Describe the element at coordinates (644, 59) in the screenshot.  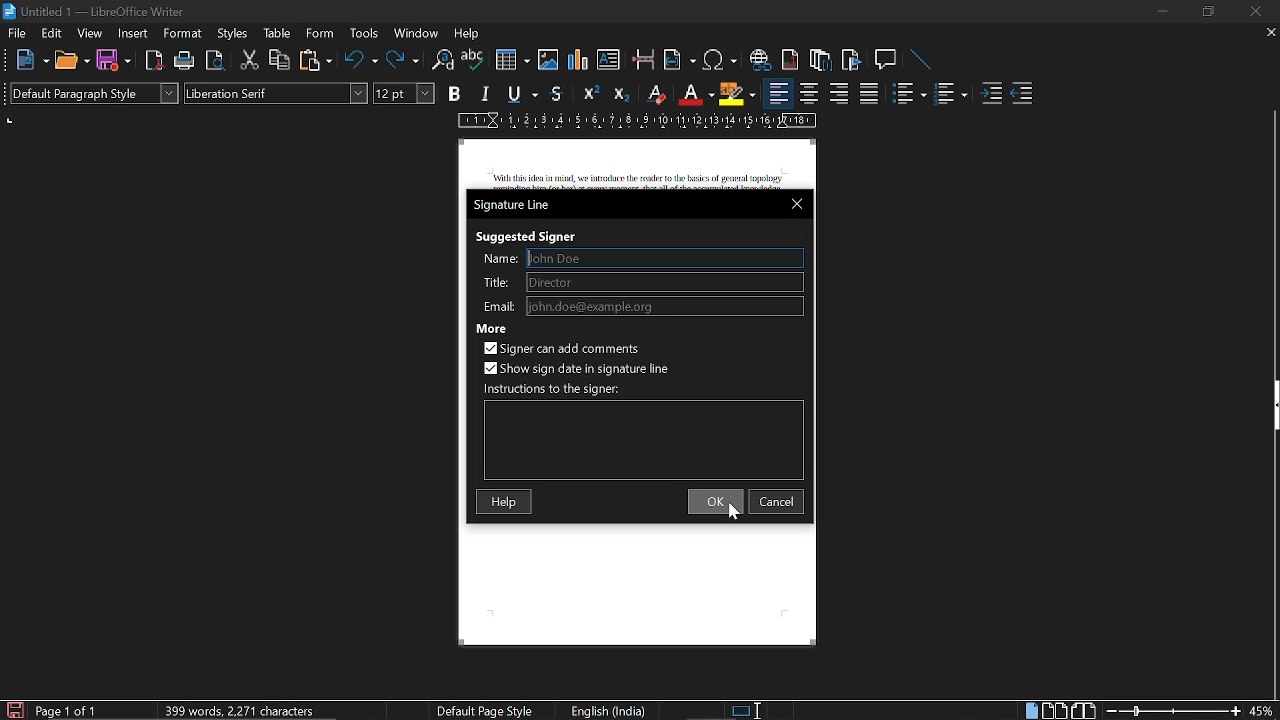
I see `insert pagebreak` at that location.